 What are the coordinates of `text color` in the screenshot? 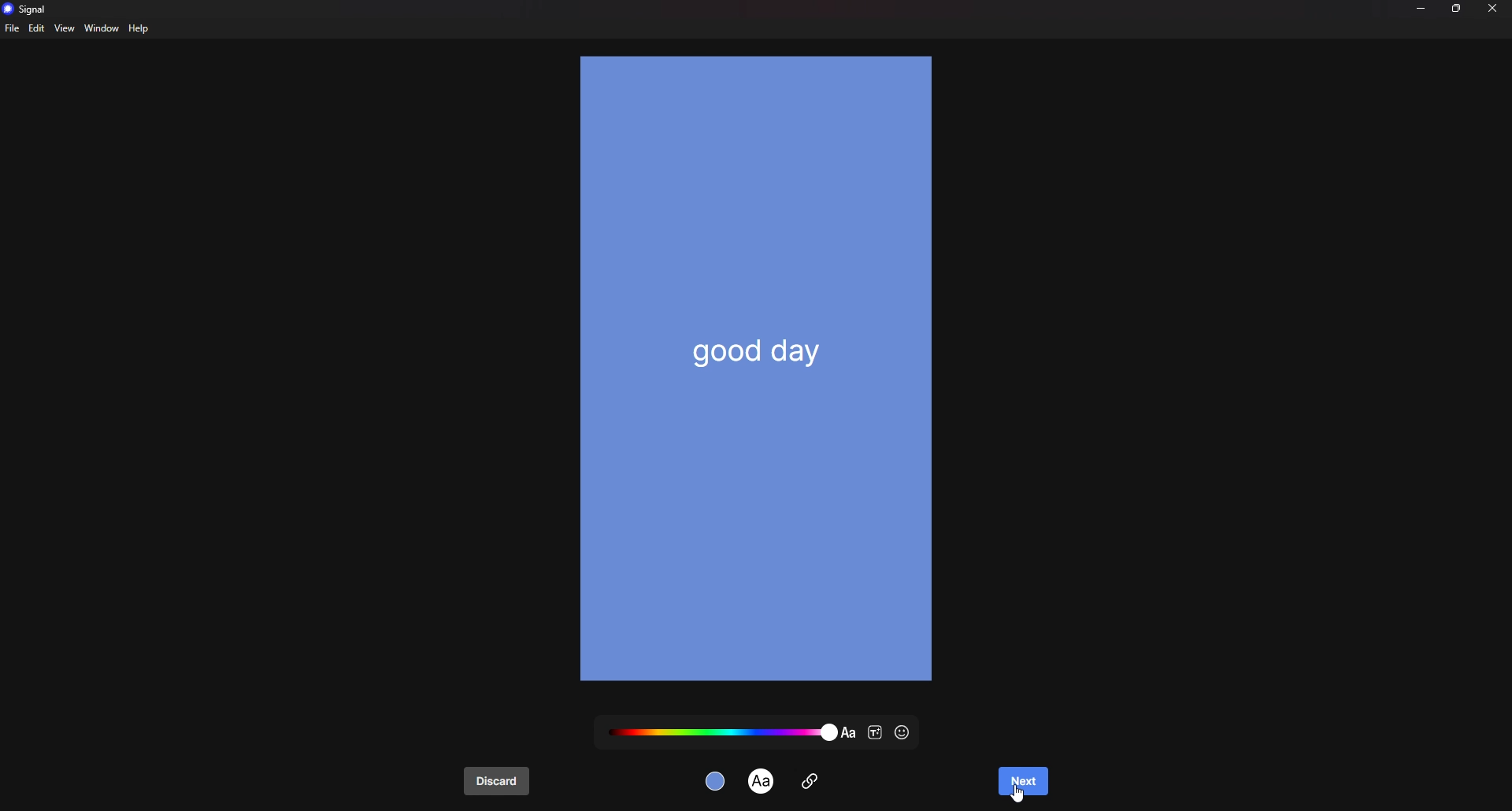 It's located at (721, 731).